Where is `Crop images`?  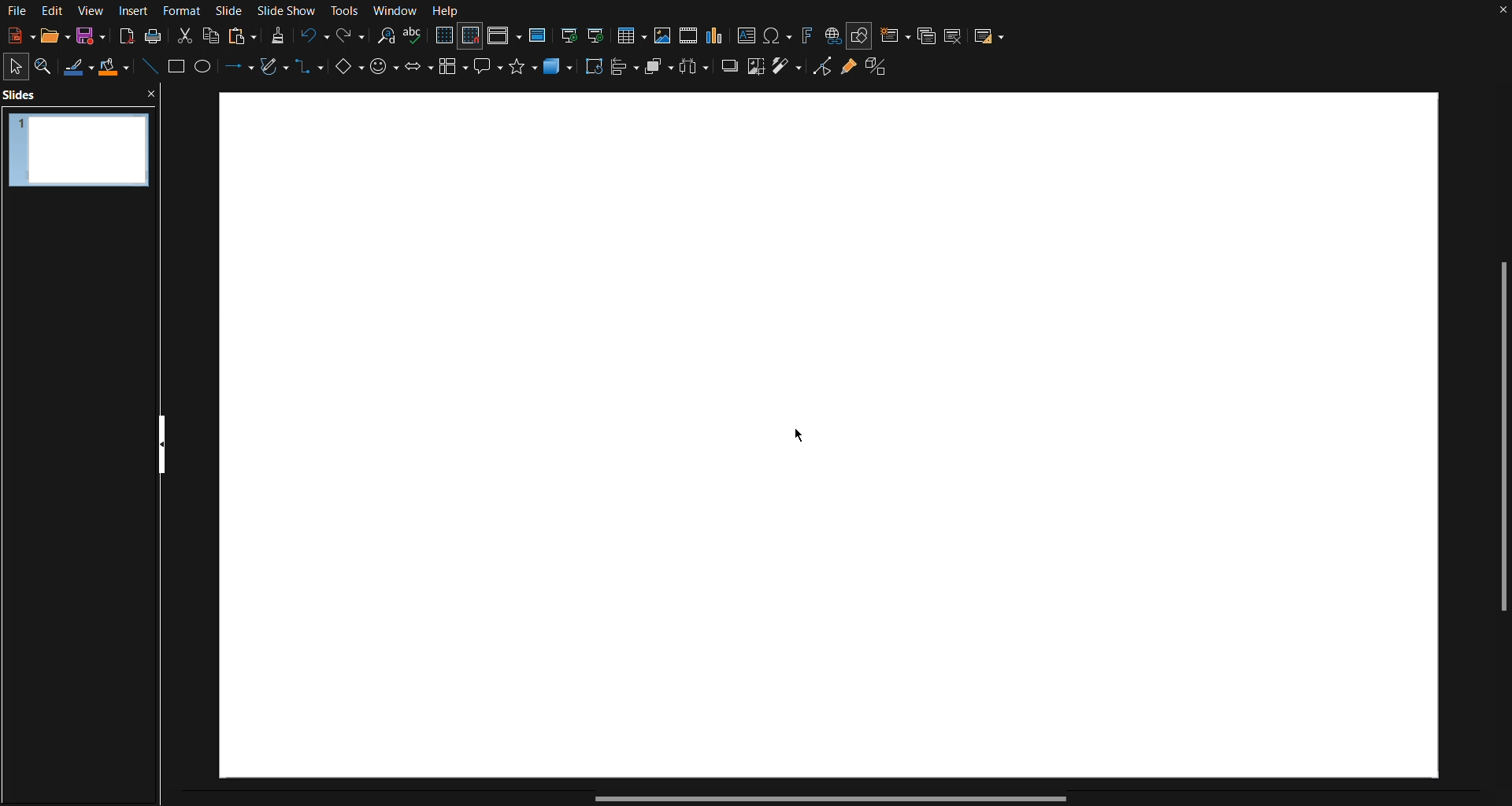 Crop images is located at coordinates (755, 72).